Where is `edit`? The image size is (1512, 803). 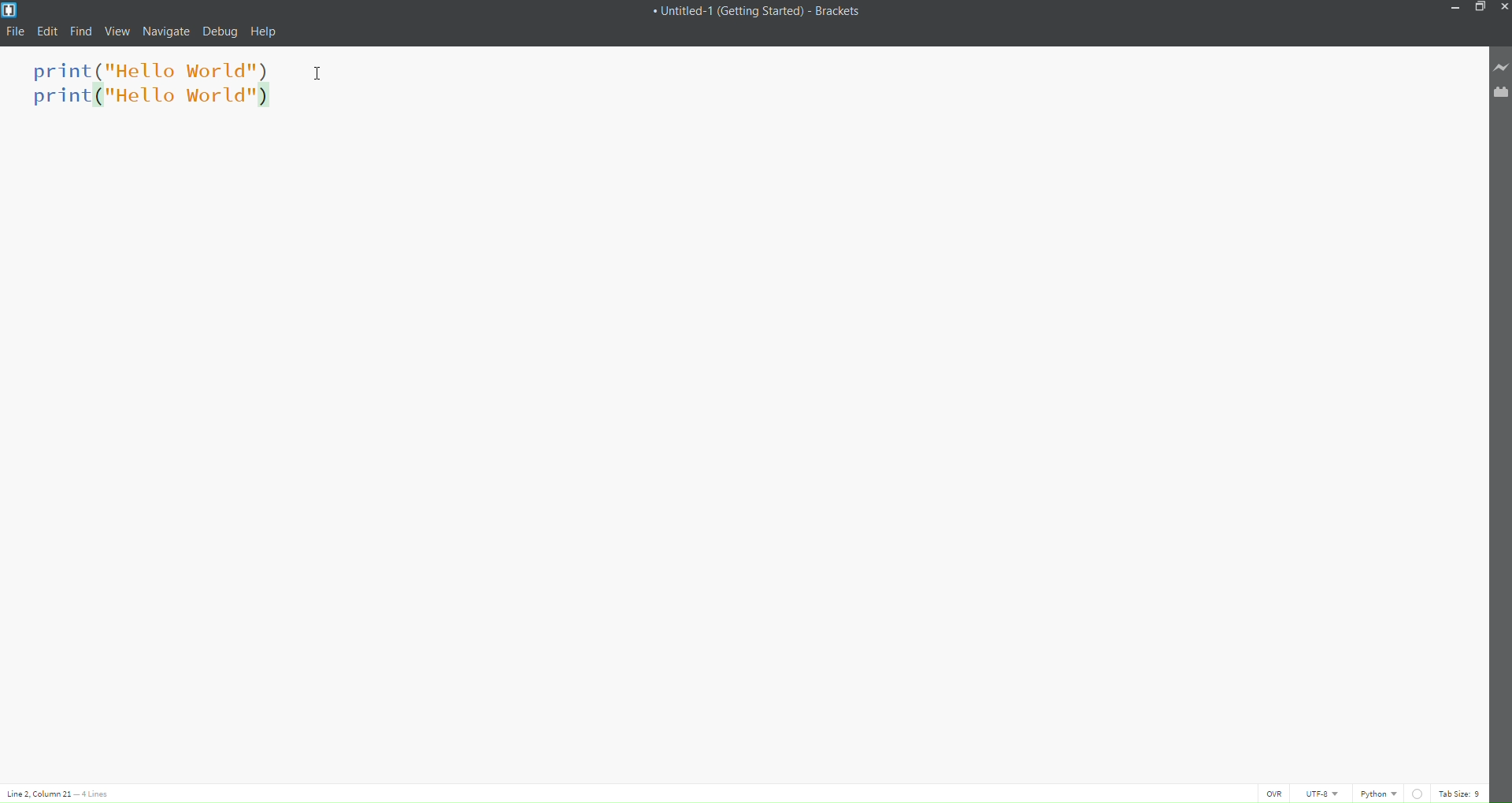
edit is located at coordinates (48, 32).